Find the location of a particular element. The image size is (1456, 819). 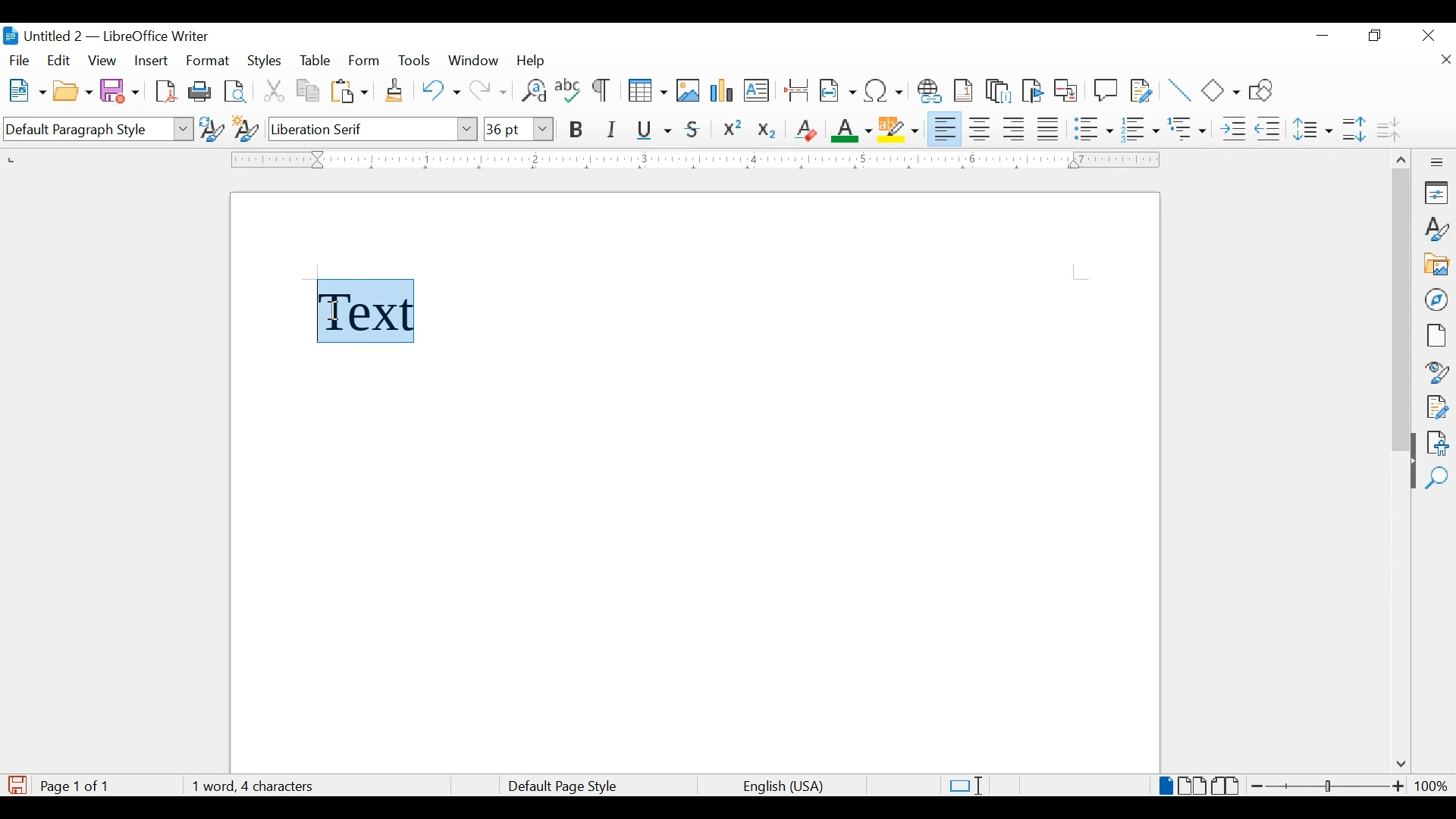

find is located at coordinates (1437, 479).